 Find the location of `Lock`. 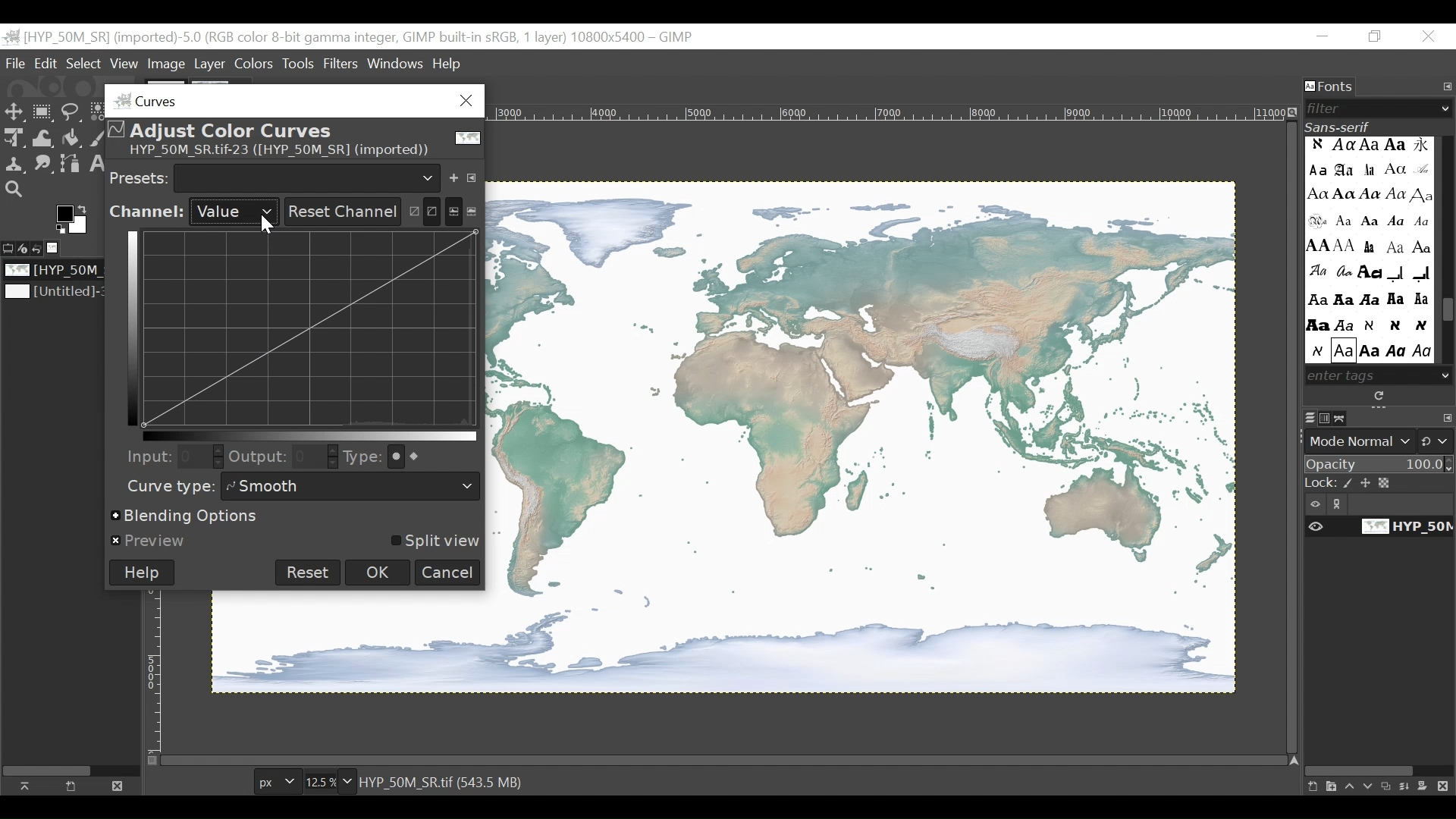

Lock is located at coordinates (1380, 484).